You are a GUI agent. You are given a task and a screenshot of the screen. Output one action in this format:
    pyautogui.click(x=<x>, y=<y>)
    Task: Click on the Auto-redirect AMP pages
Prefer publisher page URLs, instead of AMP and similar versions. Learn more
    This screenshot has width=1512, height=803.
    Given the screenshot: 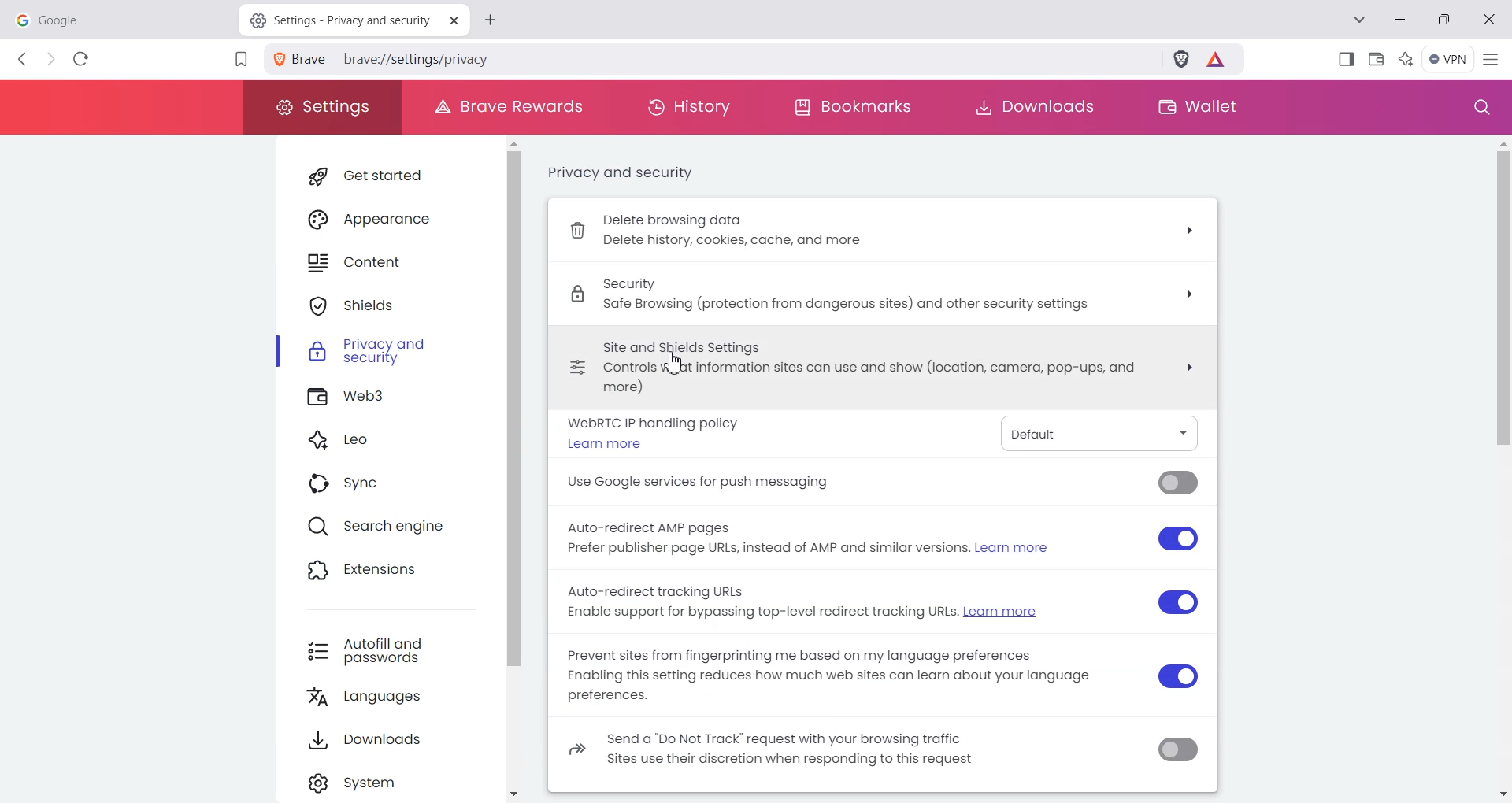 What is the action you would take?
    pyautogui.click(x=814, y=538)
    